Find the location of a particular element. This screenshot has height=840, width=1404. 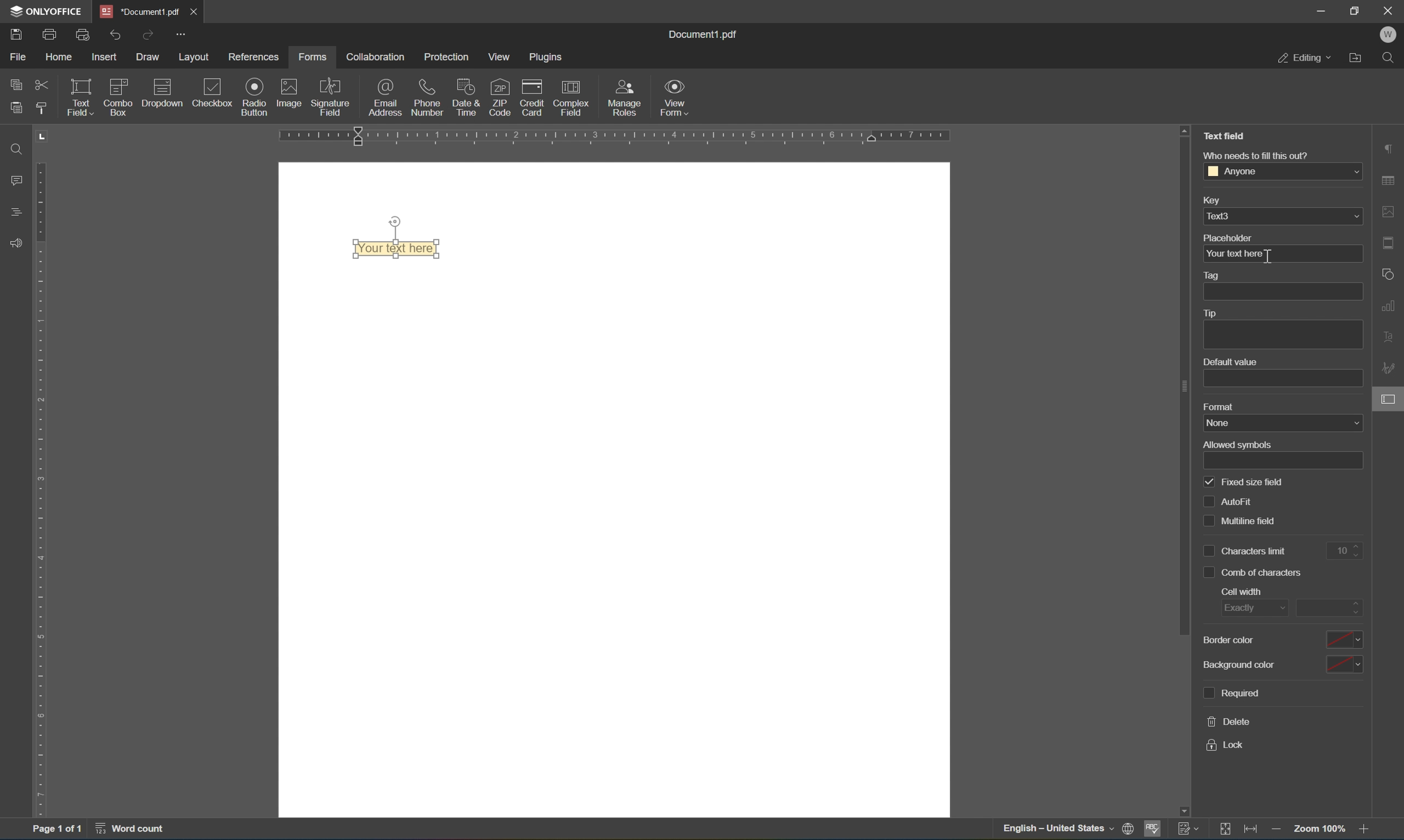

border color is located at coordinates (1281, 640).